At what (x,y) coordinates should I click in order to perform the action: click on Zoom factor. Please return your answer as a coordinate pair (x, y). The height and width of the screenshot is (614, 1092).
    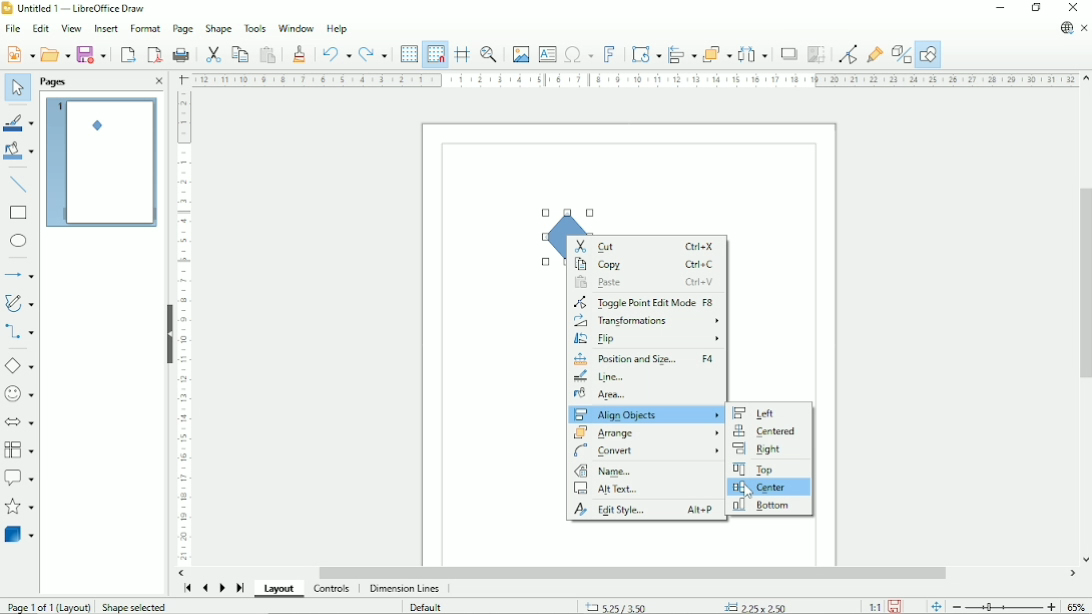
    Looking at the image, I should click on (1076, 604).